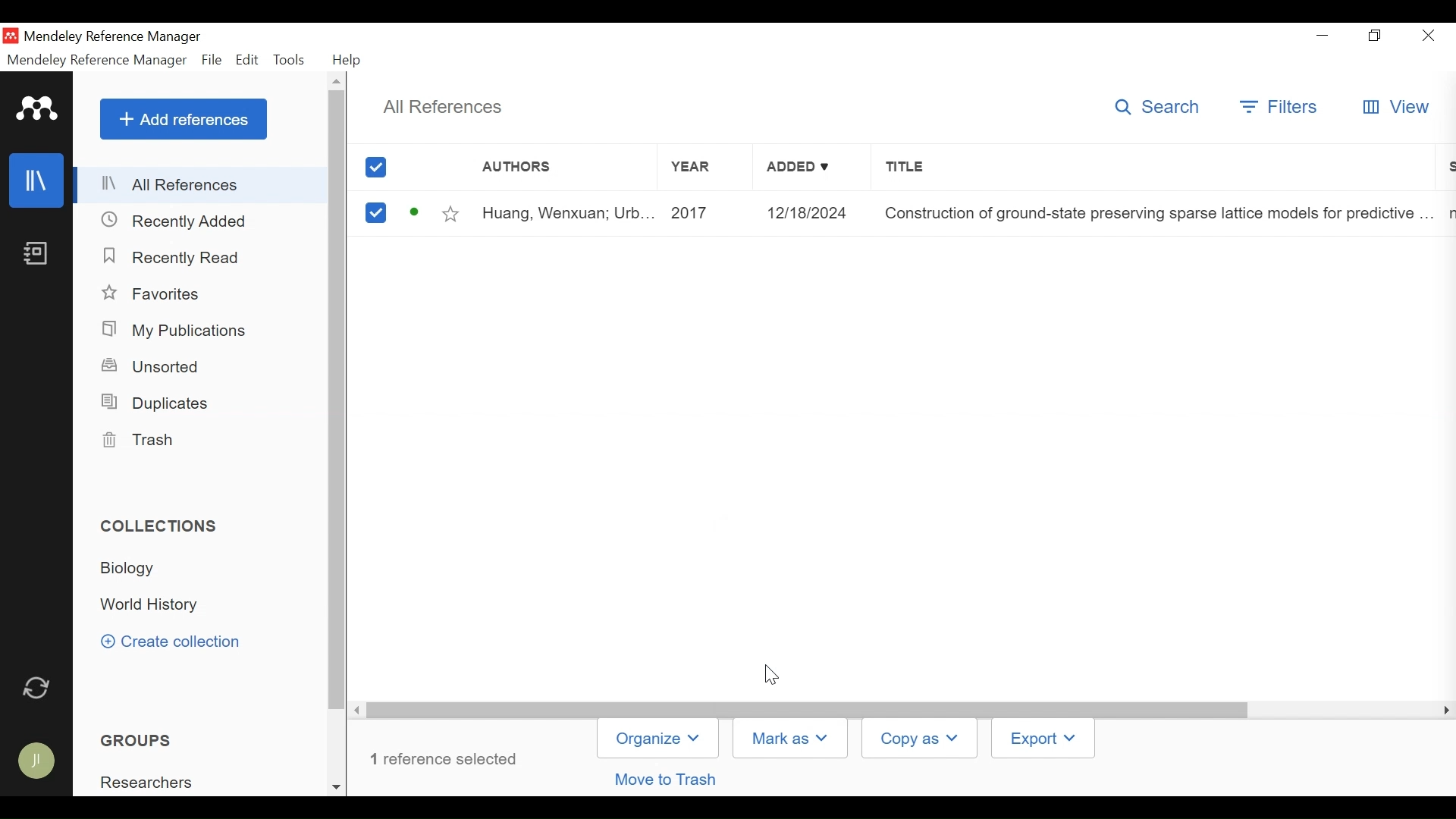 This screenshot has width=1456, height=819. What do you see at coordinates (415, 211) in the screenshot?
I see `Unread` at bounding box center [415, 211].